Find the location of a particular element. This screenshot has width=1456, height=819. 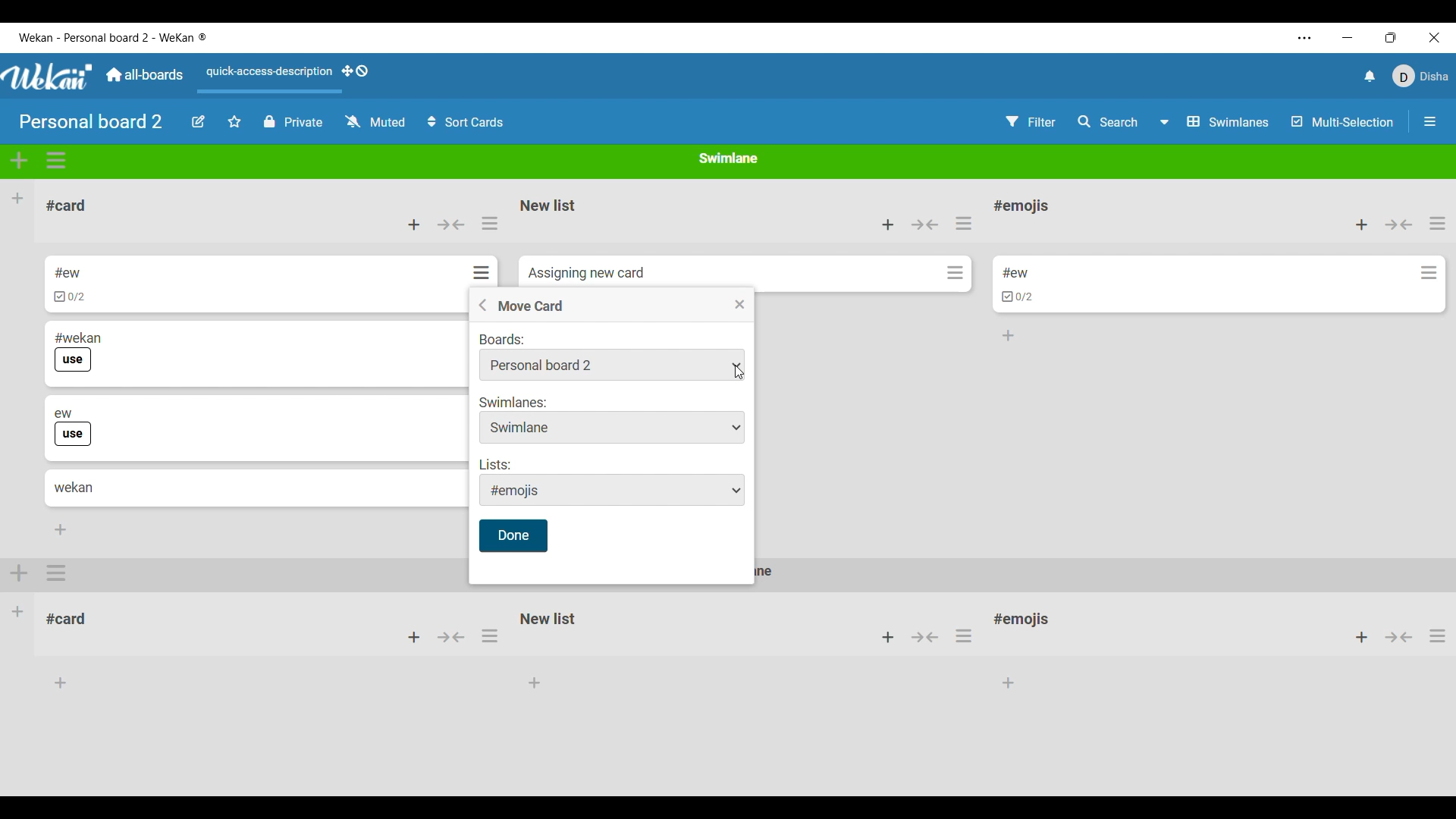

options is located at coordinates (58, 573).